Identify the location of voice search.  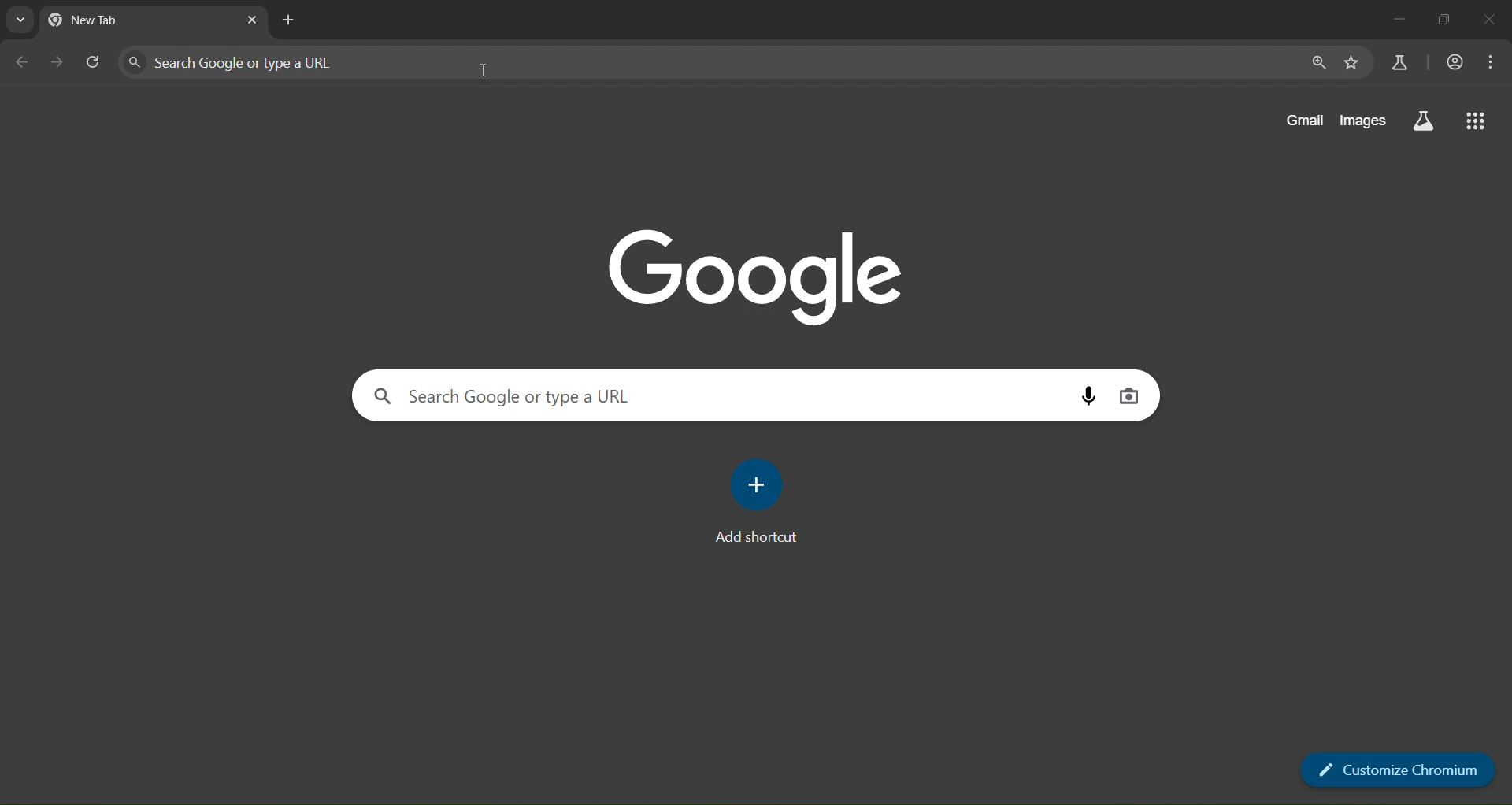
(1087, 397).